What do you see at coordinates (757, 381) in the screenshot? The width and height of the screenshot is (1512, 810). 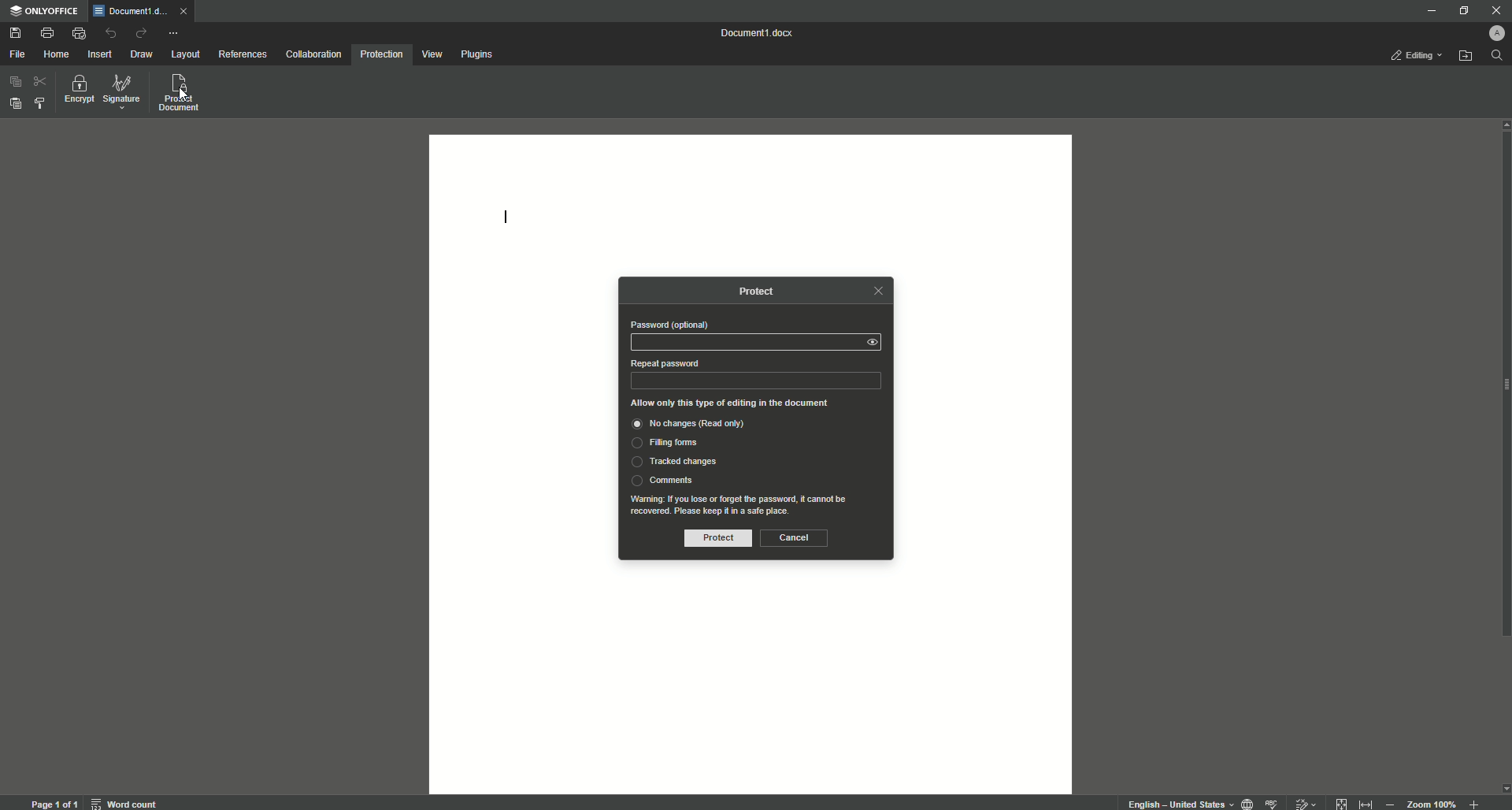 I see `type` at bounding box center [757, 381].